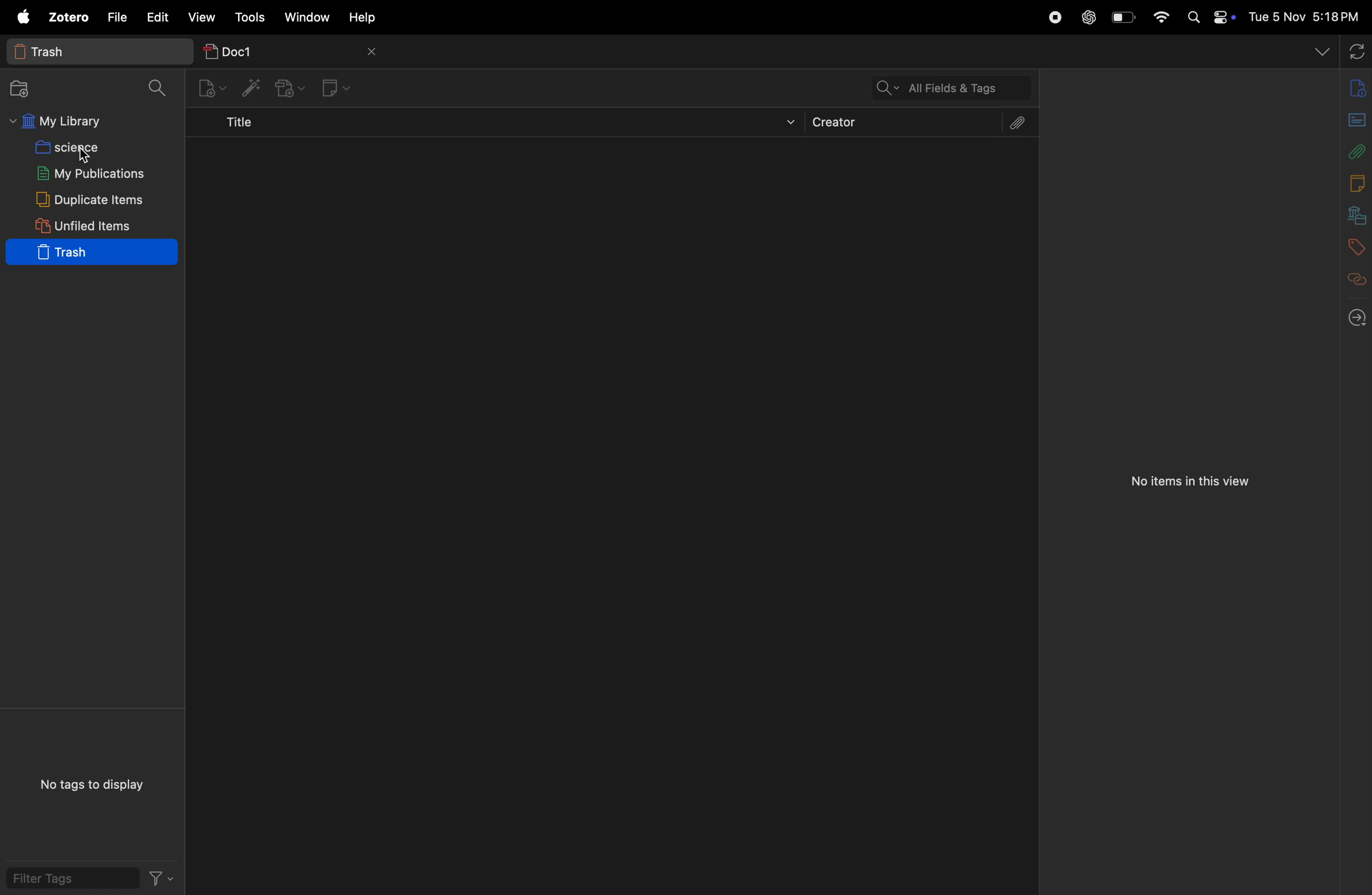 This screenshot has width=1372, height=895. I want to click on All Fields and Tags (search), so click(919, 84).